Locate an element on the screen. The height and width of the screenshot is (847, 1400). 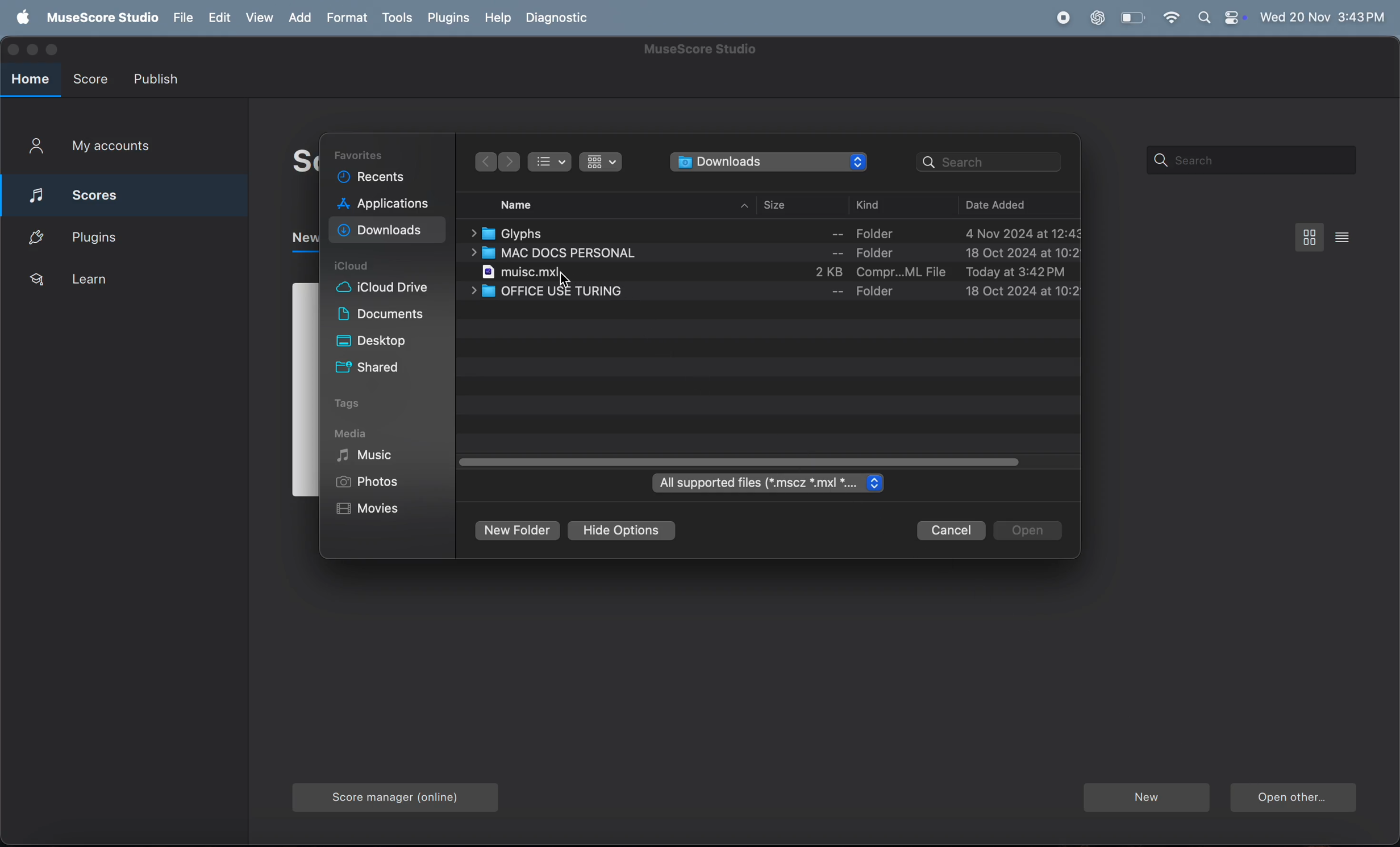
box view is located at coordinates (1307, 237).